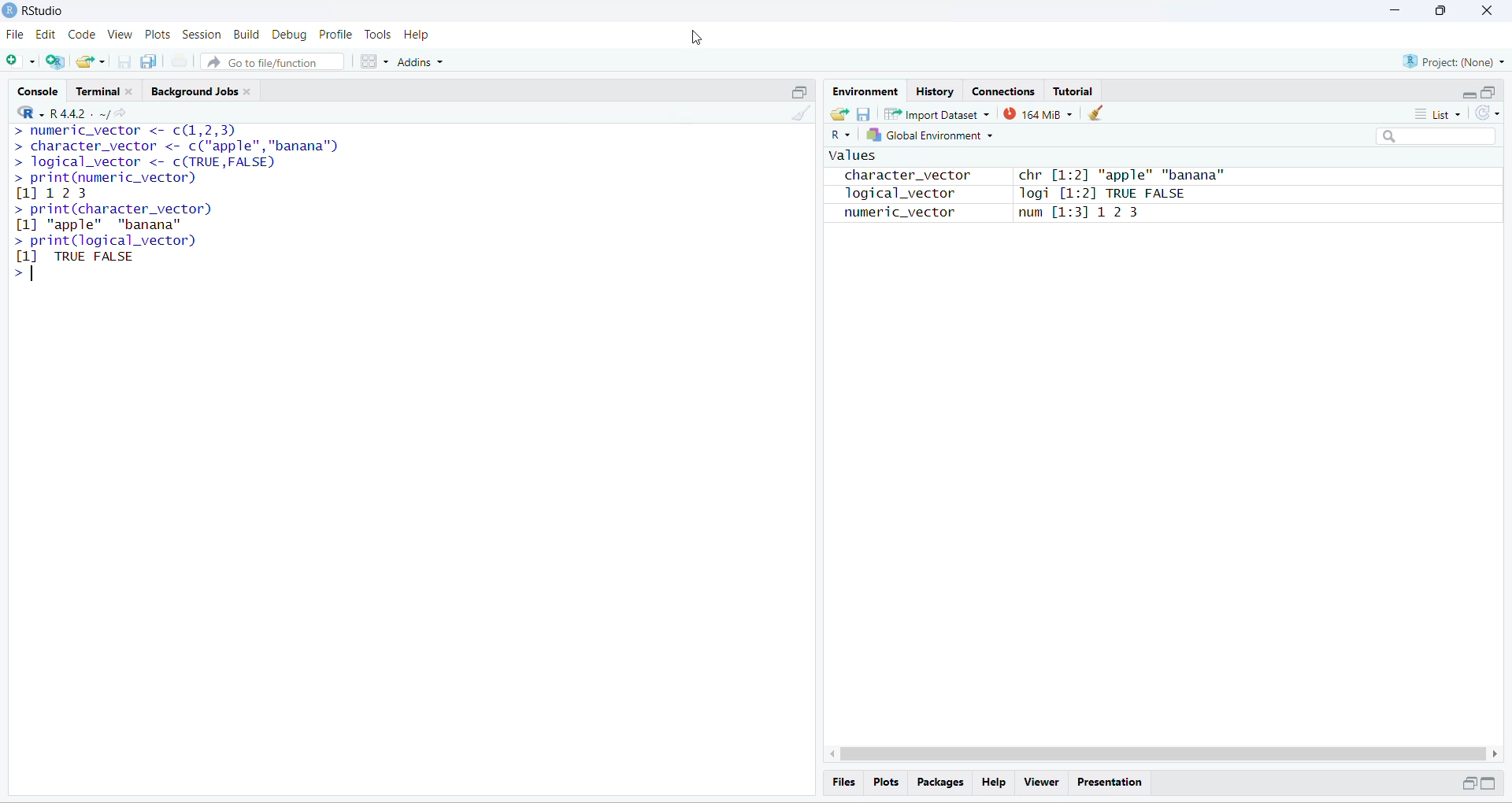 The image size is (1512, 803). I want to click on scrollbar, so click(1164, 754).